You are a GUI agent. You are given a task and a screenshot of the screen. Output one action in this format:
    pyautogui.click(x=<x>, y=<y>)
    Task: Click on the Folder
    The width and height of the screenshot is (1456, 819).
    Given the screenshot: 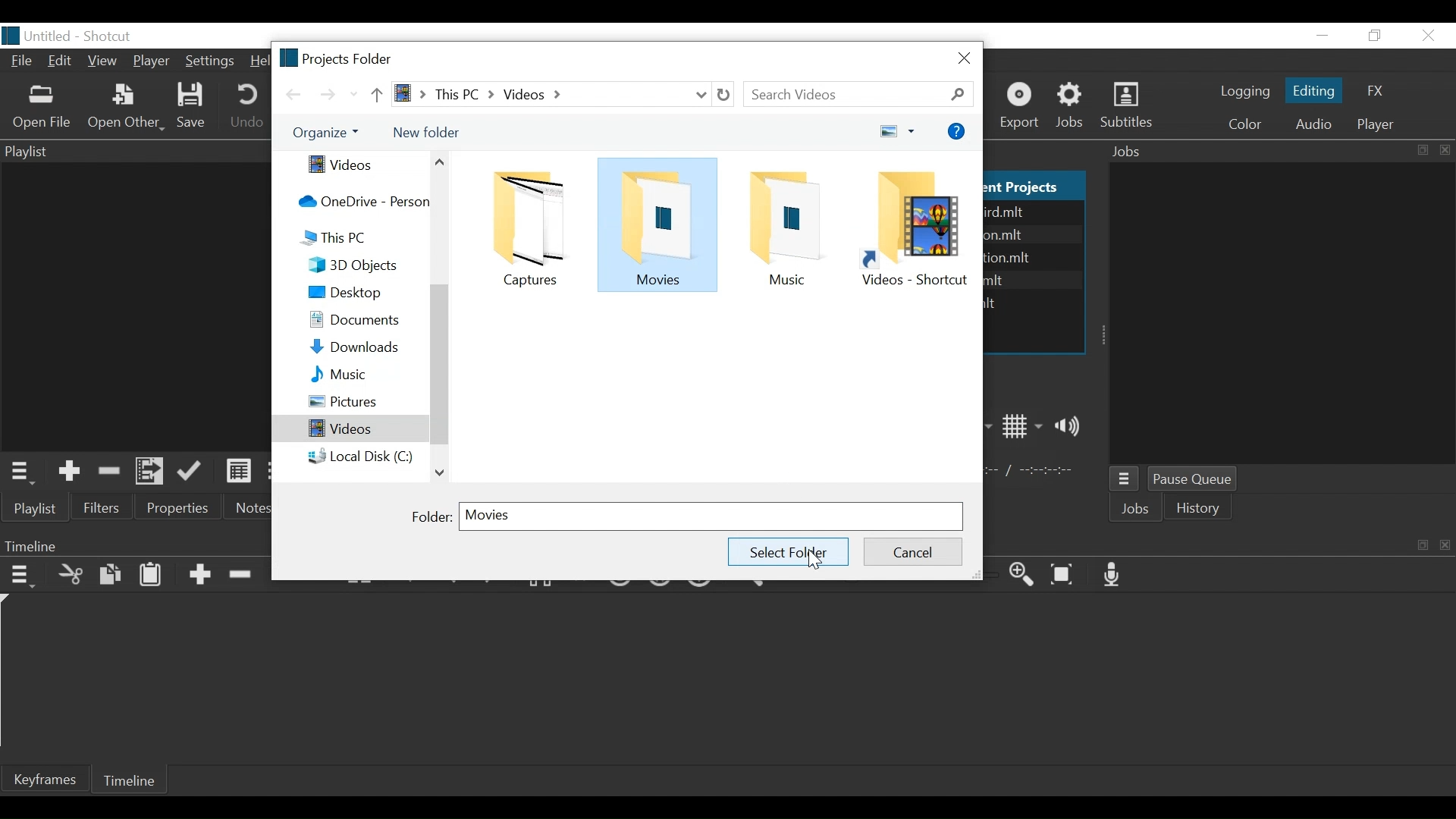 What is the action you would take?
    pyautogui.click(x=780, y=227)
    